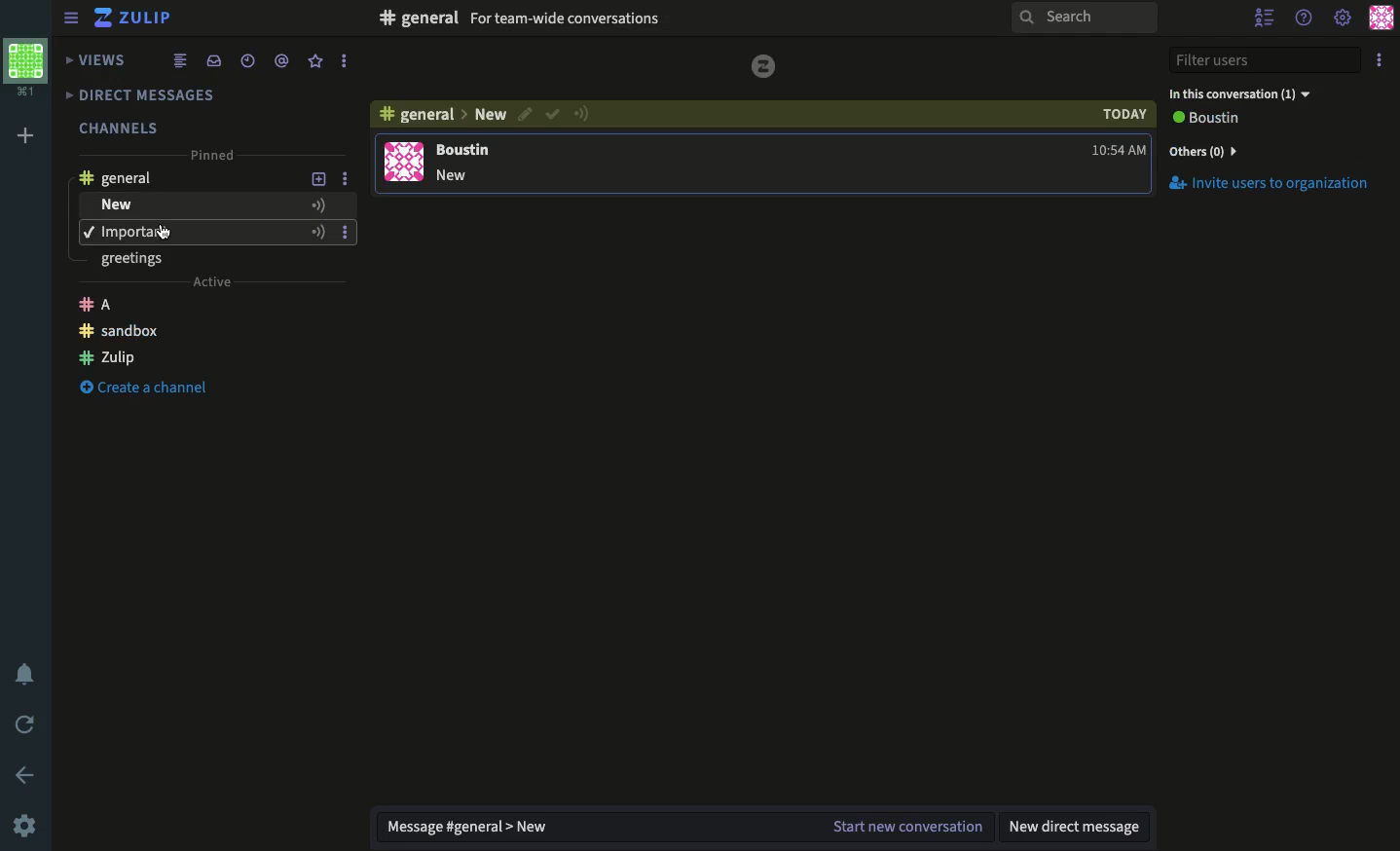 The width and height of the screenshot is (1400, 851). Describe the element at coordinates (1379, 19) in the screenshot. I see `Profile` at that location.